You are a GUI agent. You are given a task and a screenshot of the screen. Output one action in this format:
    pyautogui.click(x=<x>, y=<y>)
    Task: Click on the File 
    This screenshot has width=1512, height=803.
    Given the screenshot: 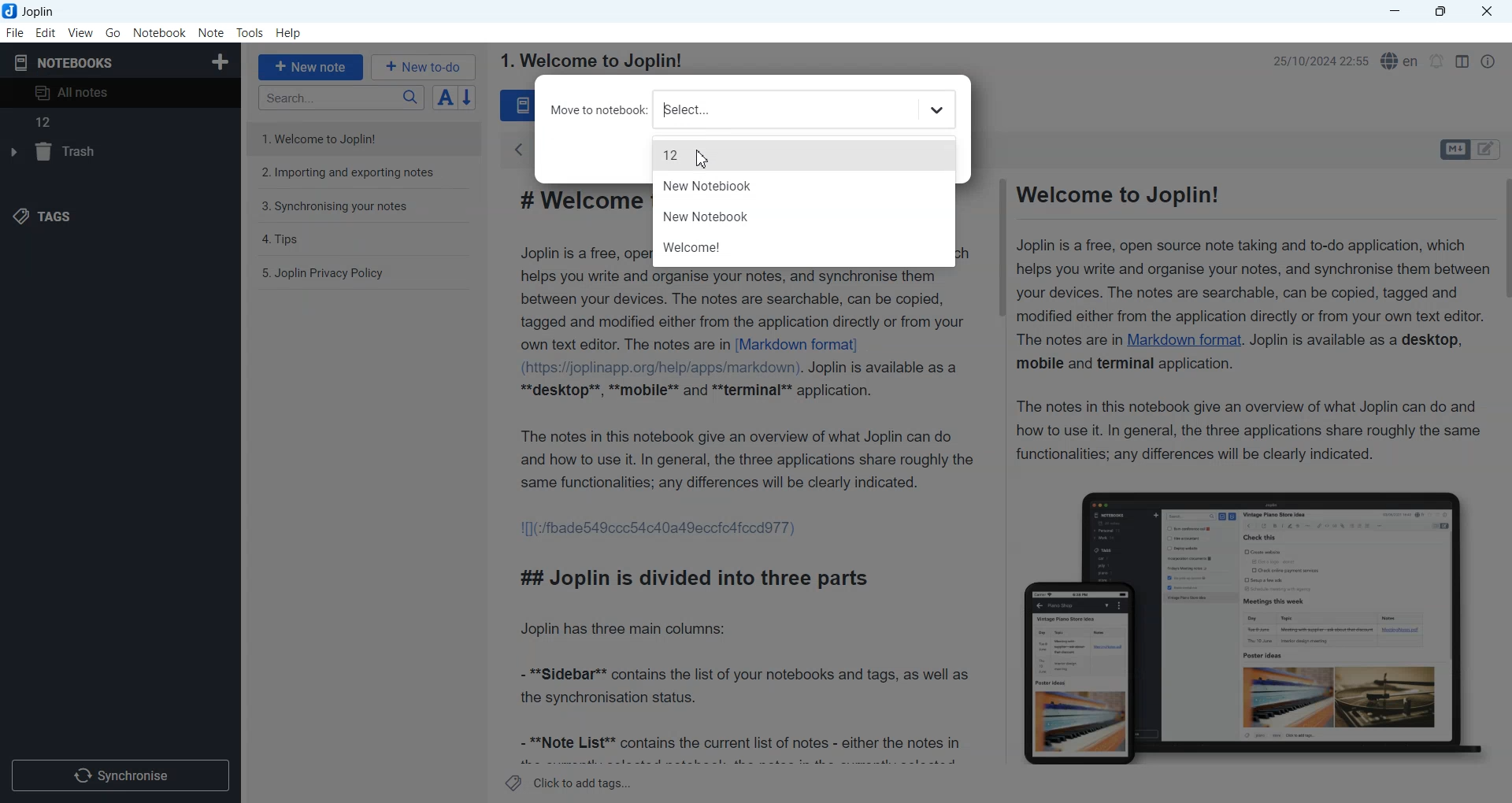 What is the action you would take?
    pyautogui.click(x=14, y=32)
    